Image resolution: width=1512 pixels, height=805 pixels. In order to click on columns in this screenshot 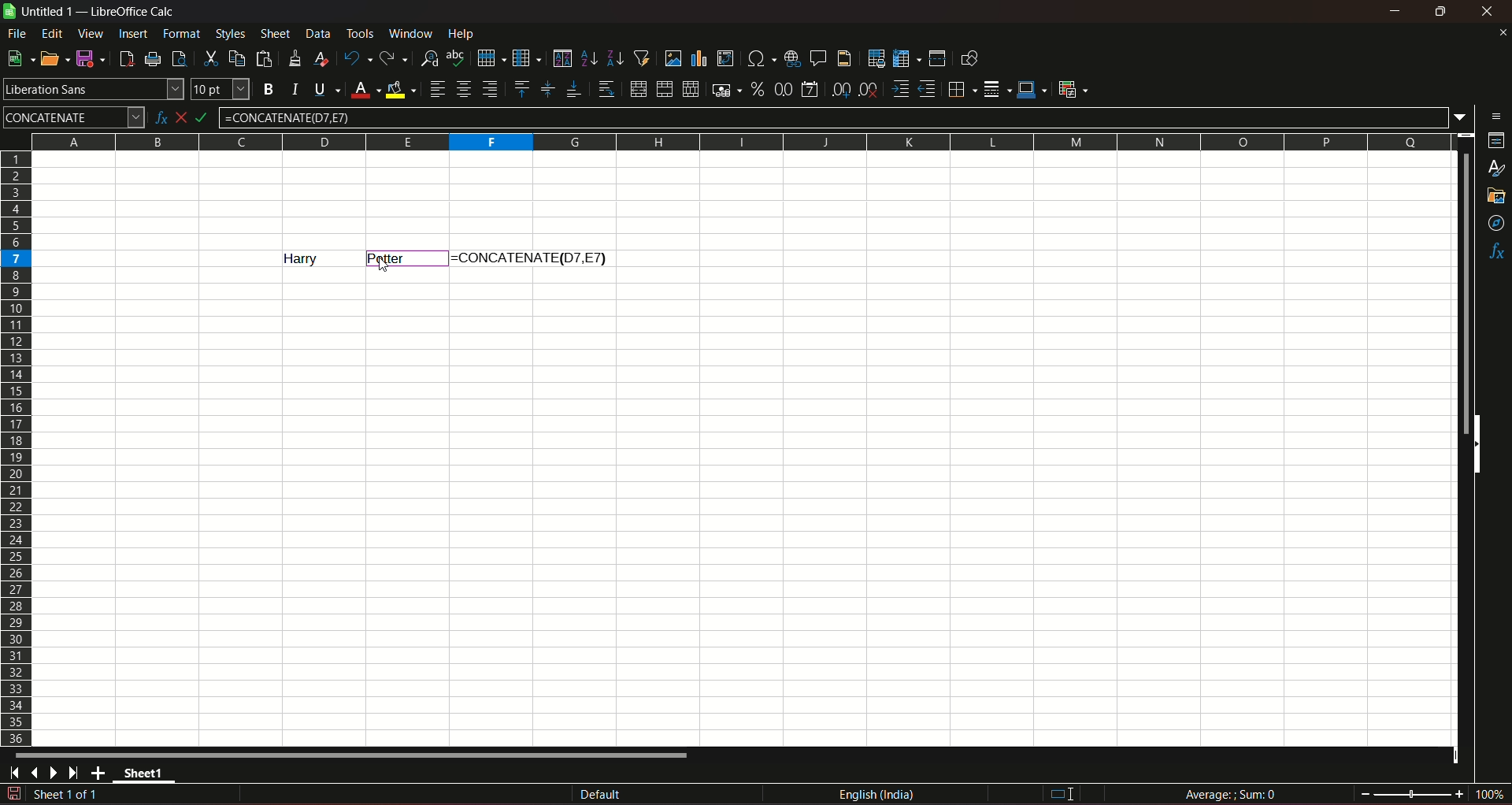, I will do `click(738, 139)`.